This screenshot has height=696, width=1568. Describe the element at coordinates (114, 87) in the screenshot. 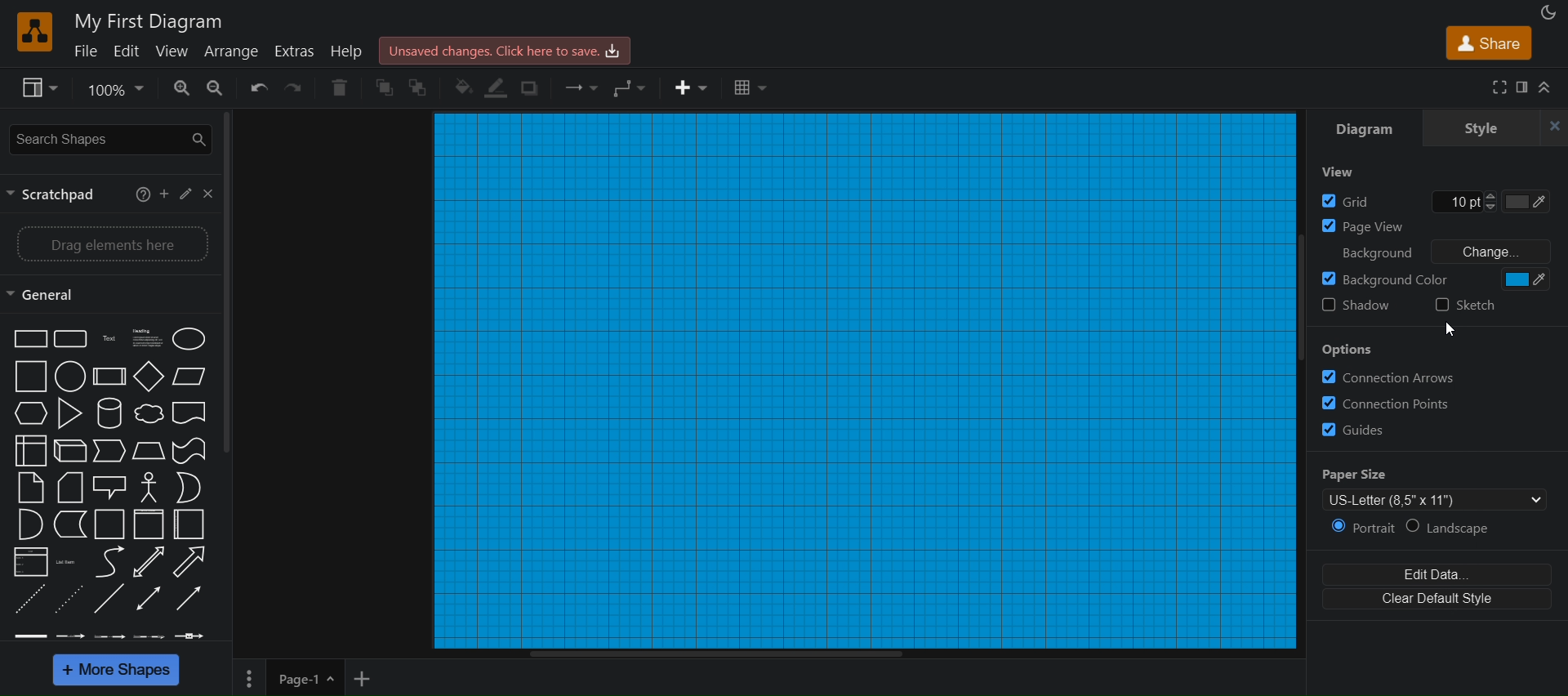

I see `zoom` at that location.